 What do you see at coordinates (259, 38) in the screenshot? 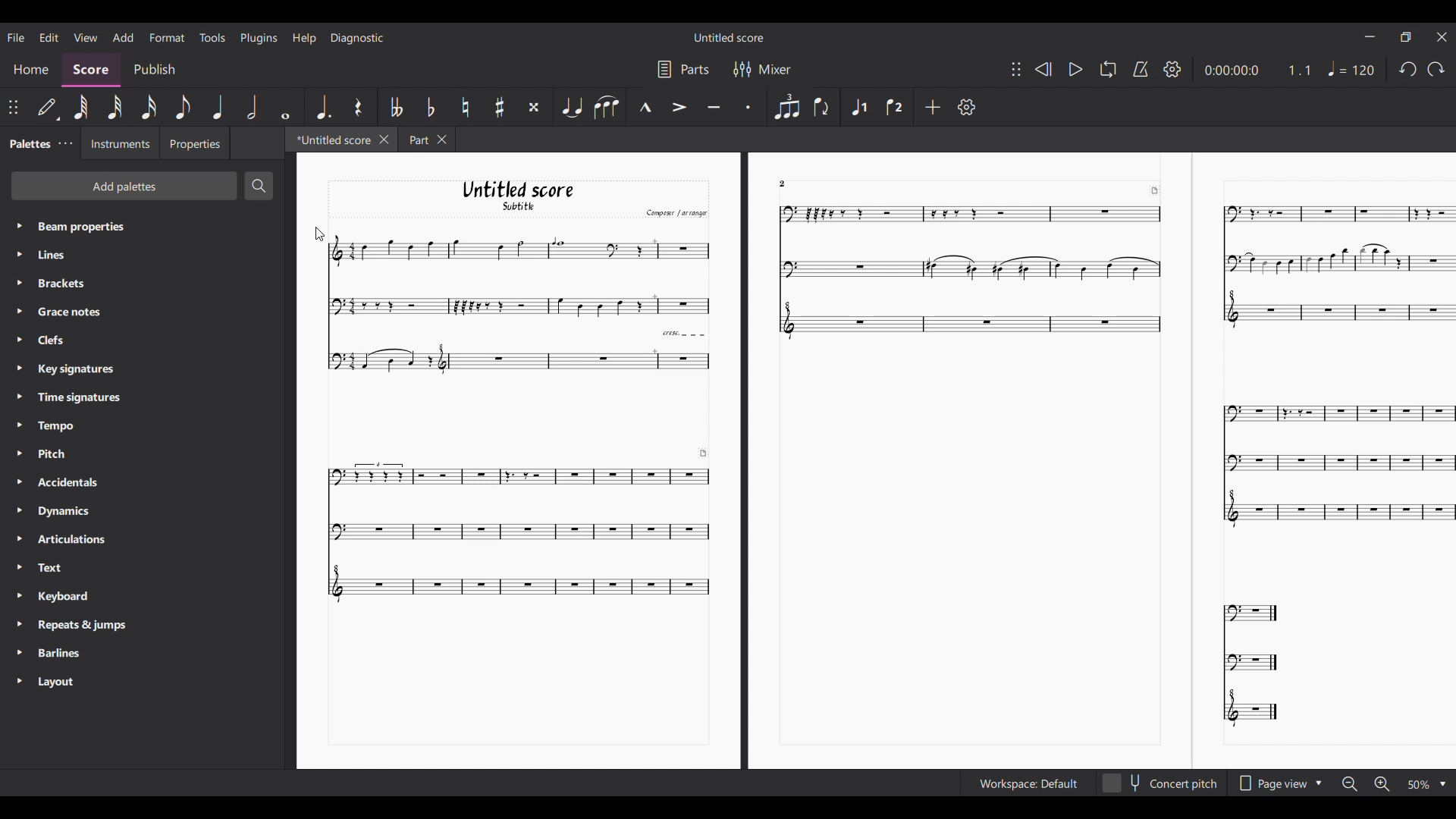
I see `Plugins` at bounding box center [259, 38].